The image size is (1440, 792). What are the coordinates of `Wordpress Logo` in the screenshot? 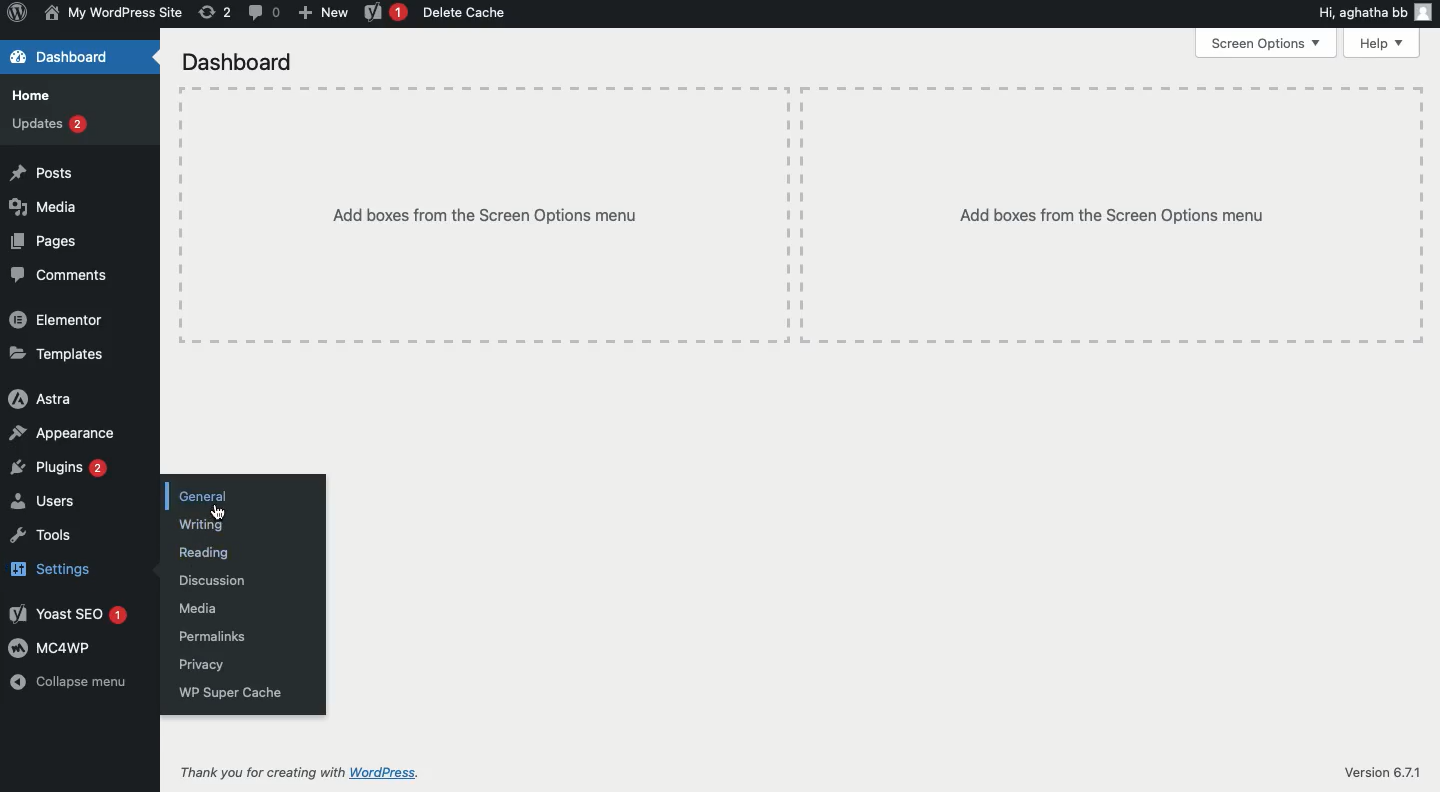 It's located at (15, 14).